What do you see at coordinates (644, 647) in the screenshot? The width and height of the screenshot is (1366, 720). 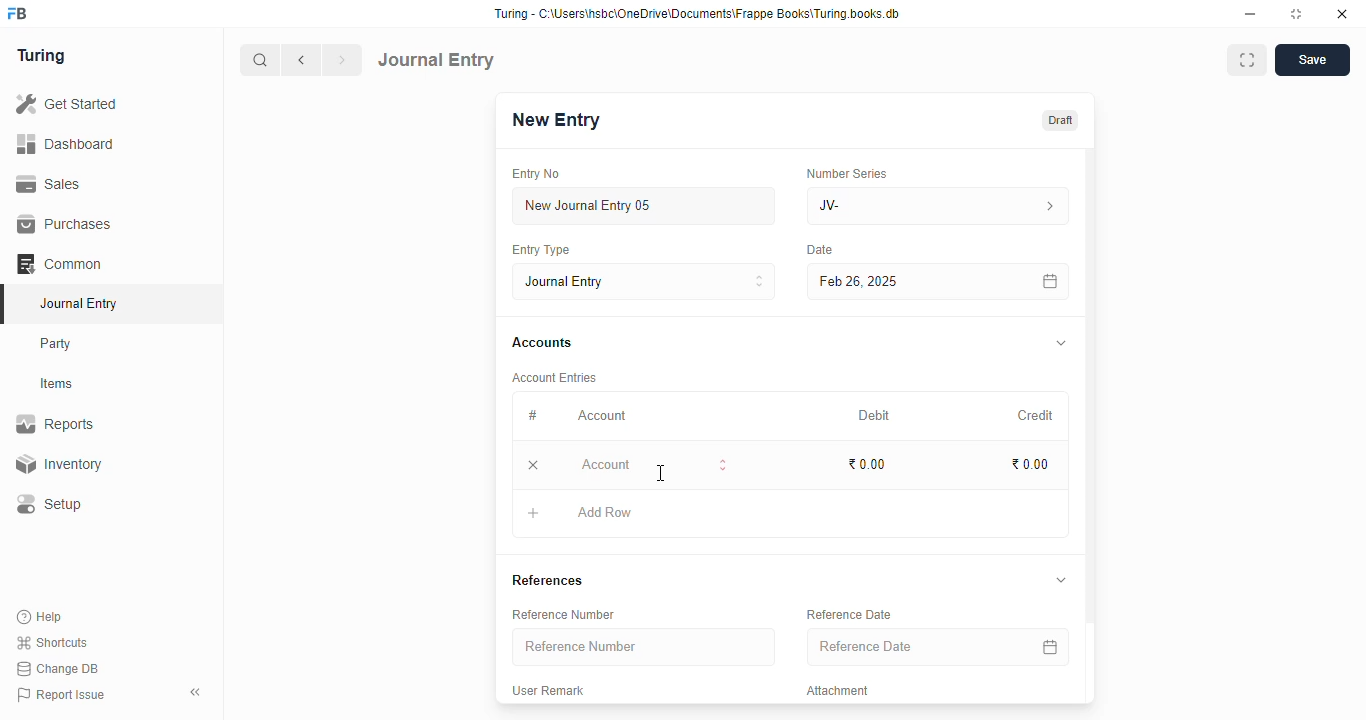 I see `reference number` at bounding box center [644, 647].